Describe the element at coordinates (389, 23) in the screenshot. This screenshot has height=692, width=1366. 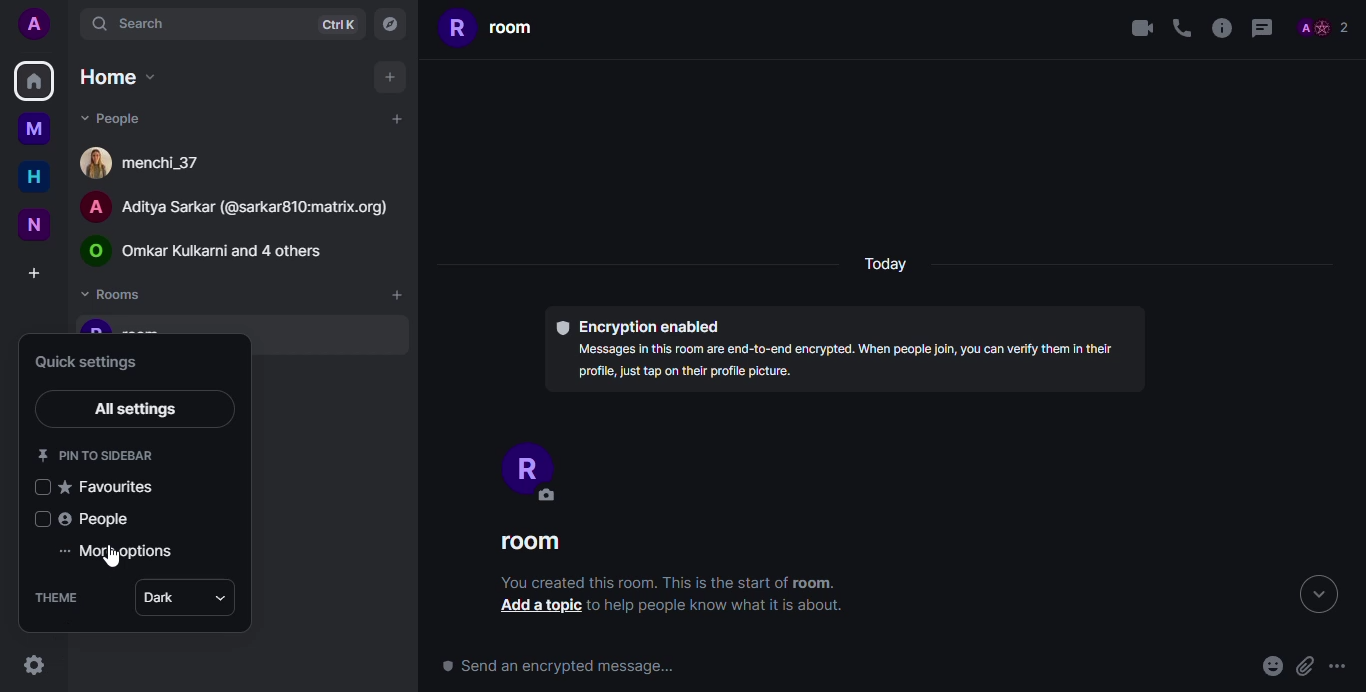
I see `navigator` at that location.